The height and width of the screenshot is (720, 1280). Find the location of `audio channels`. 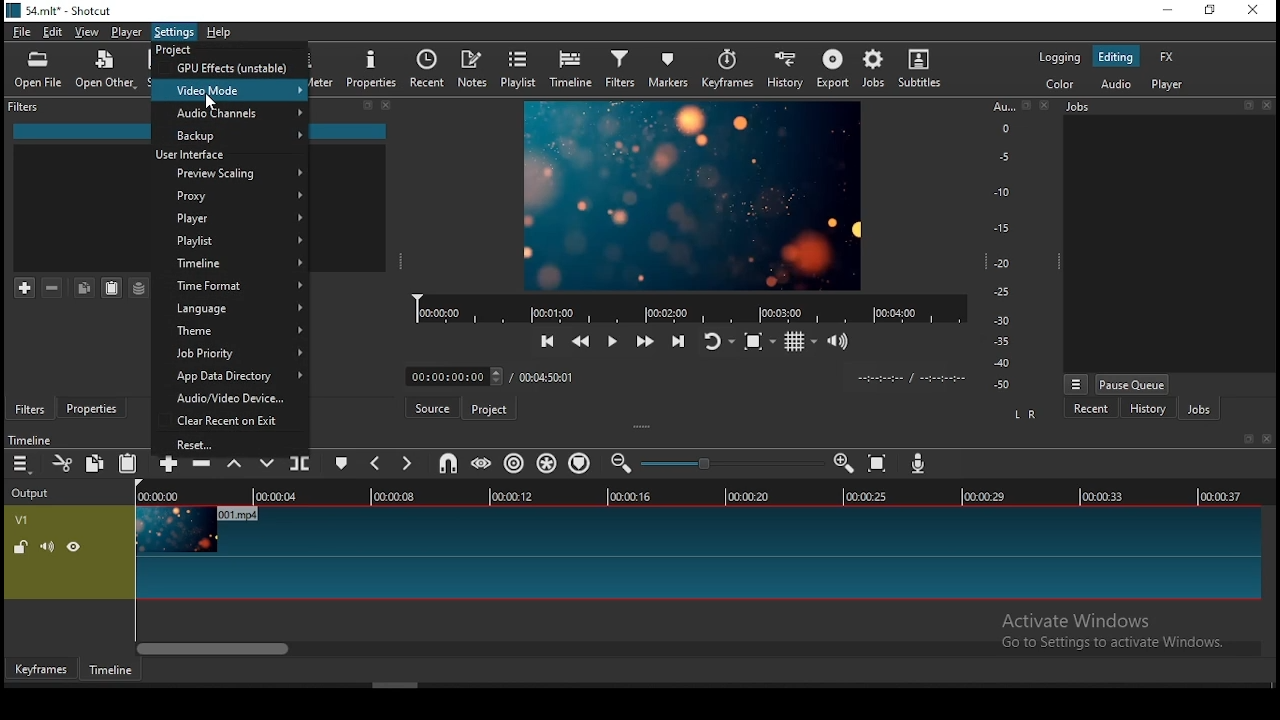

audio channels is located at coordinates (232, 113).